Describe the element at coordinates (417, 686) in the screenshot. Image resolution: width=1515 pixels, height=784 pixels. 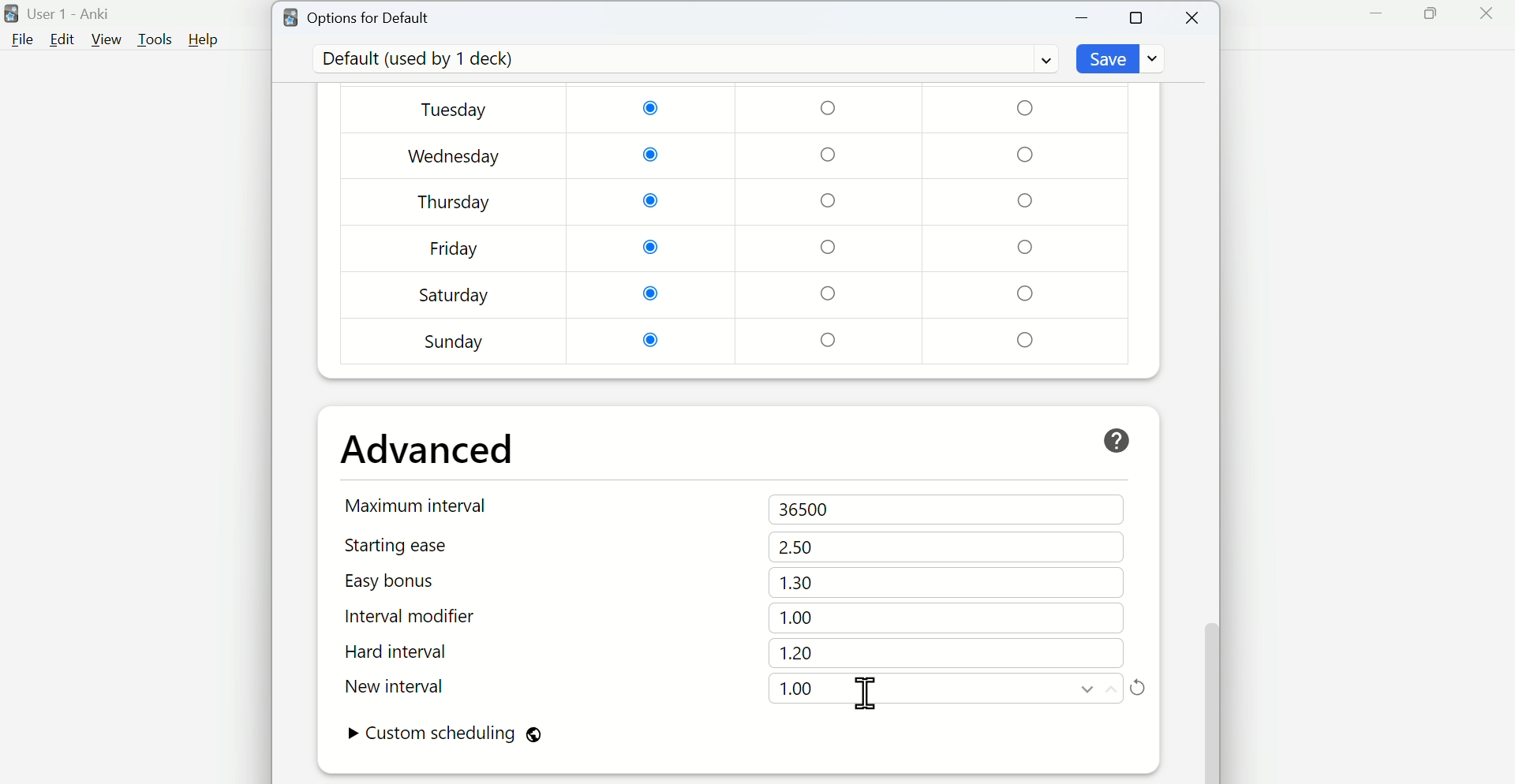
I see `New interval` at that location.